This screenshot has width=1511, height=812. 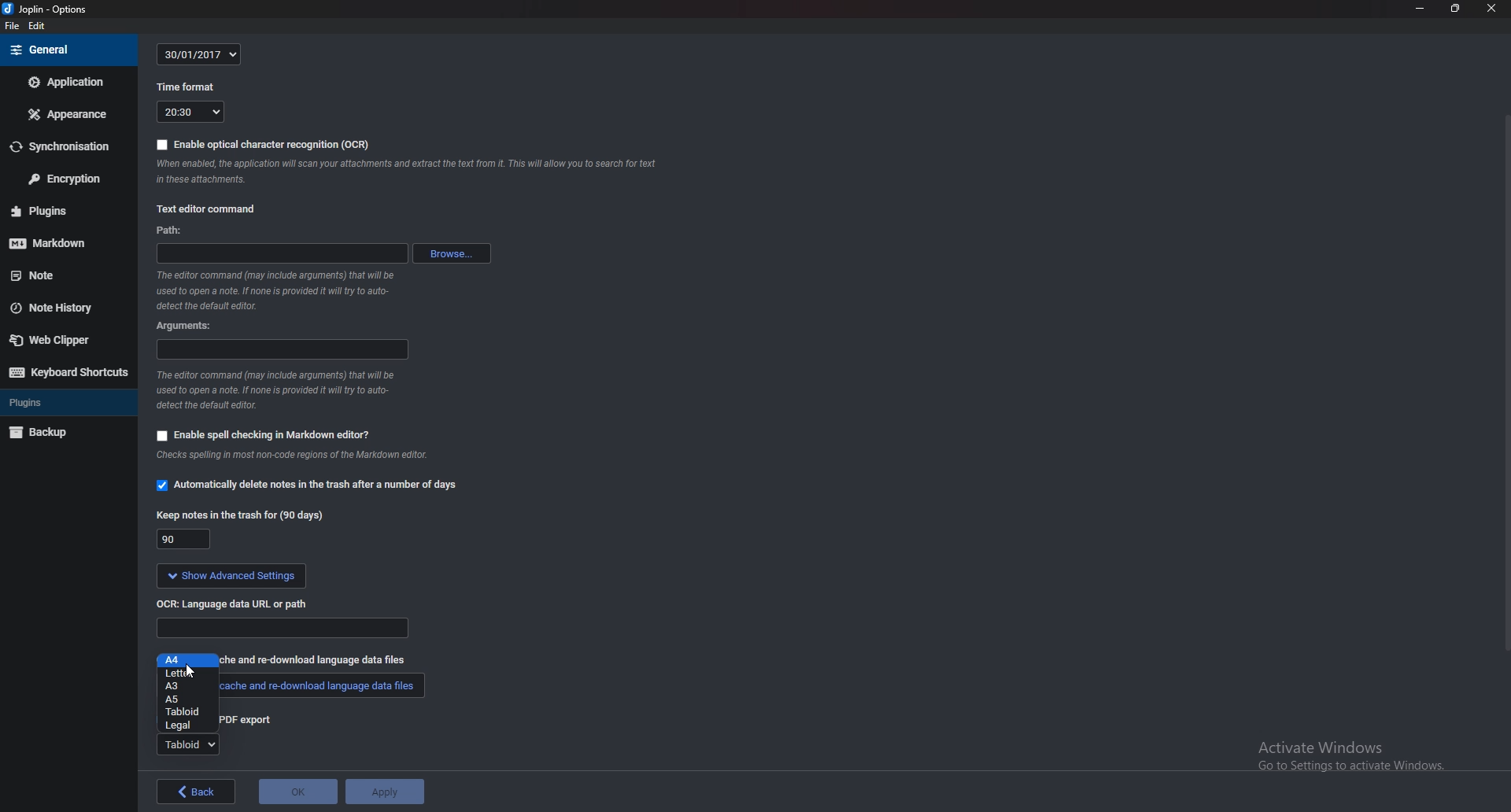 I want to click on Plugins, so click(x=60, y=404).